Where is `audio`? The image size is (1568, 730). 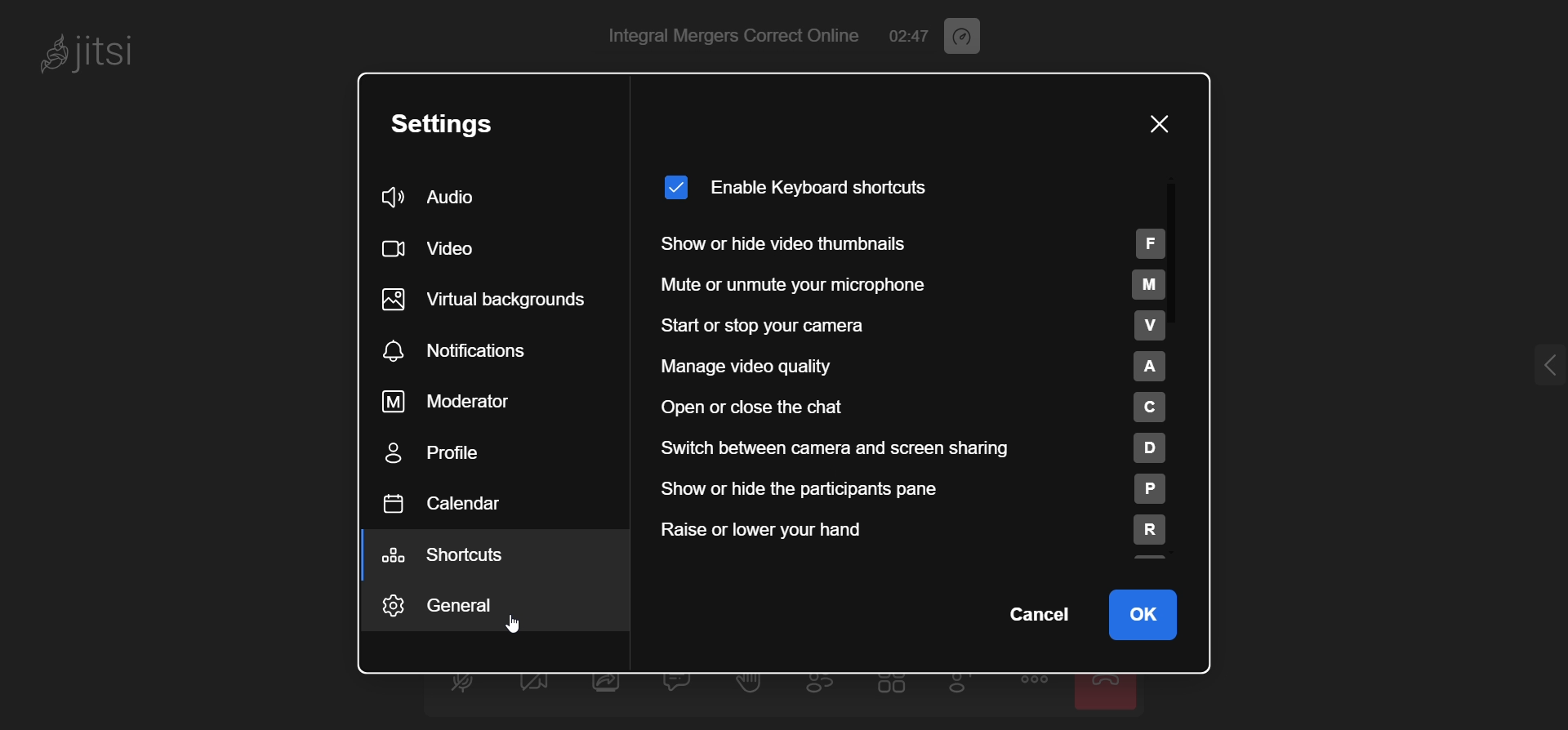
audio is located at coordinates (445, 195).